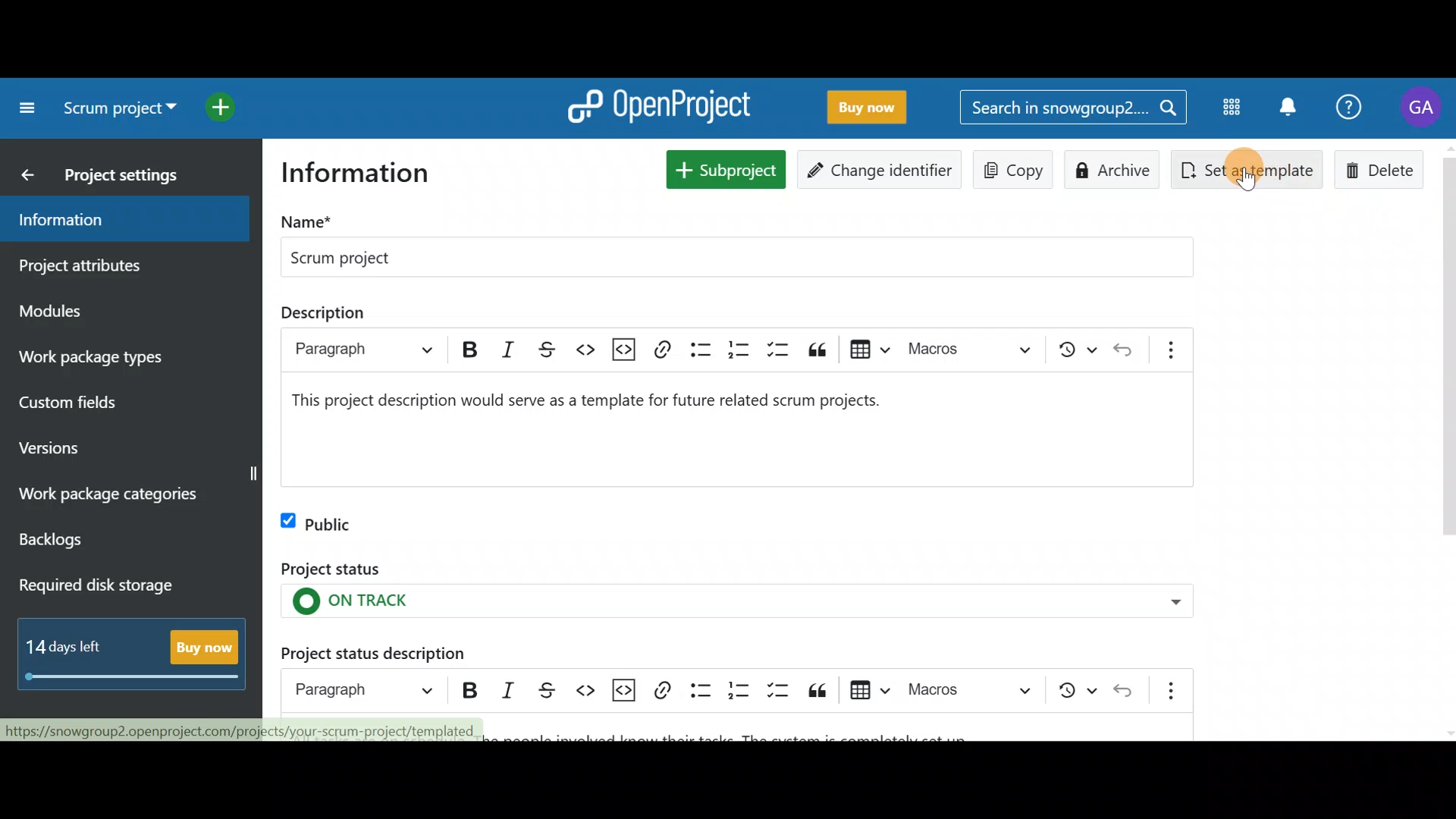  I want to click on OpenProject, so click(664, 105).